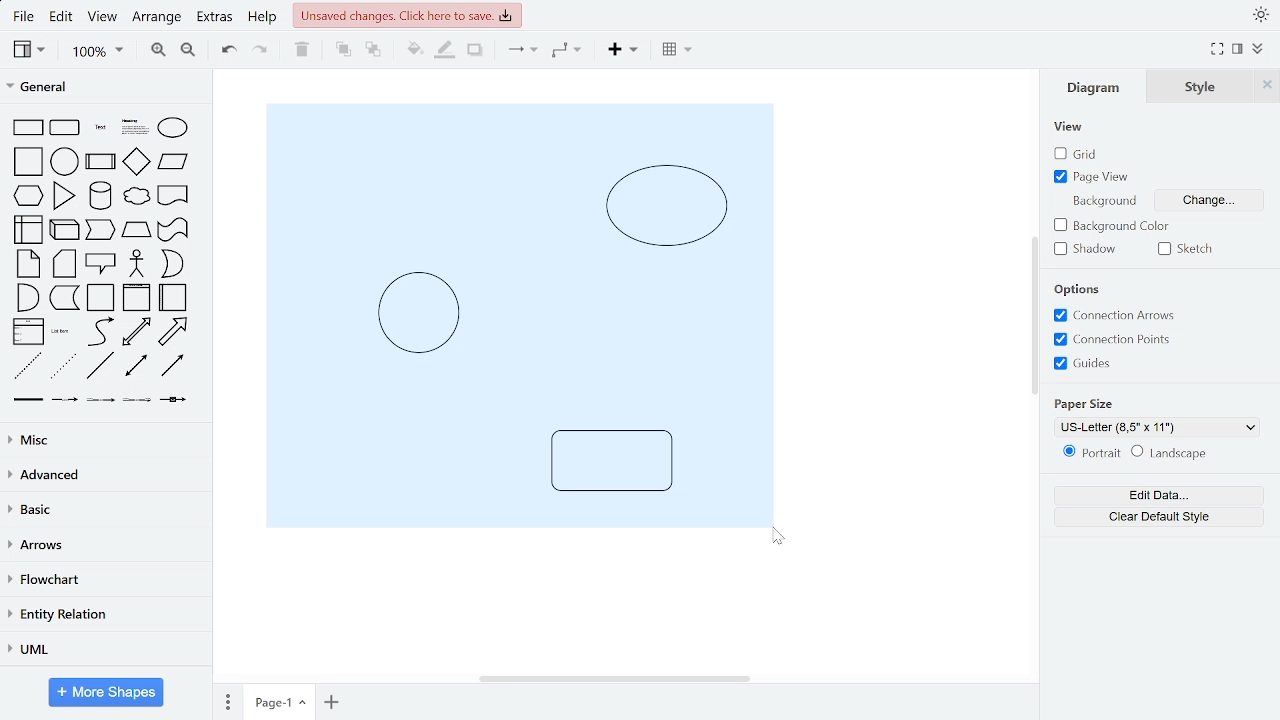 The height and width of the screenshot is (720, 1280). Describe the element at coordinates (621, 52) in the screenshot. I see `insert` at that location.